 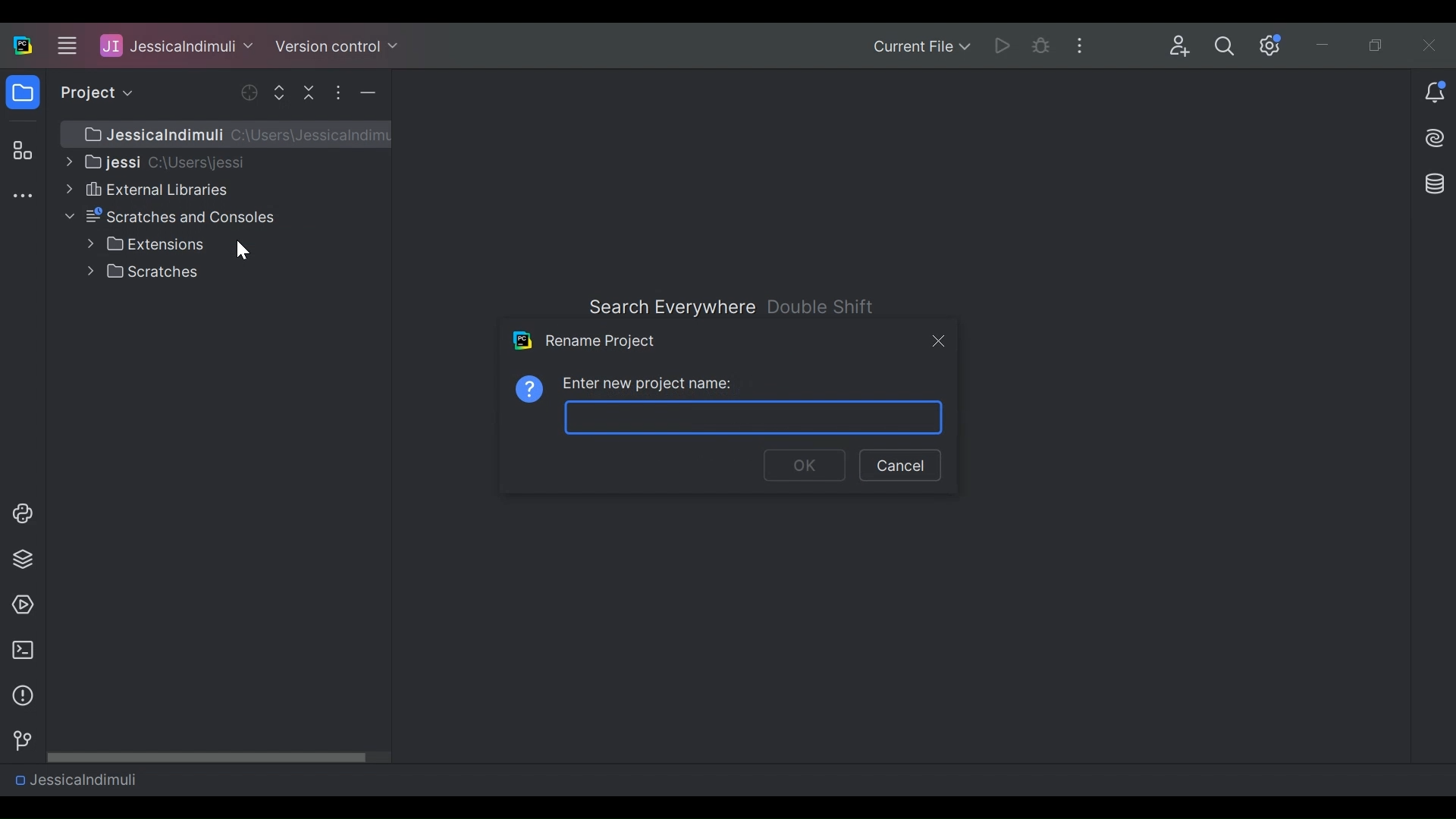 What do you see at coordinates (283, 92) in the screenshot?
I see `Expand Selected` at bounding box center [283, 92].